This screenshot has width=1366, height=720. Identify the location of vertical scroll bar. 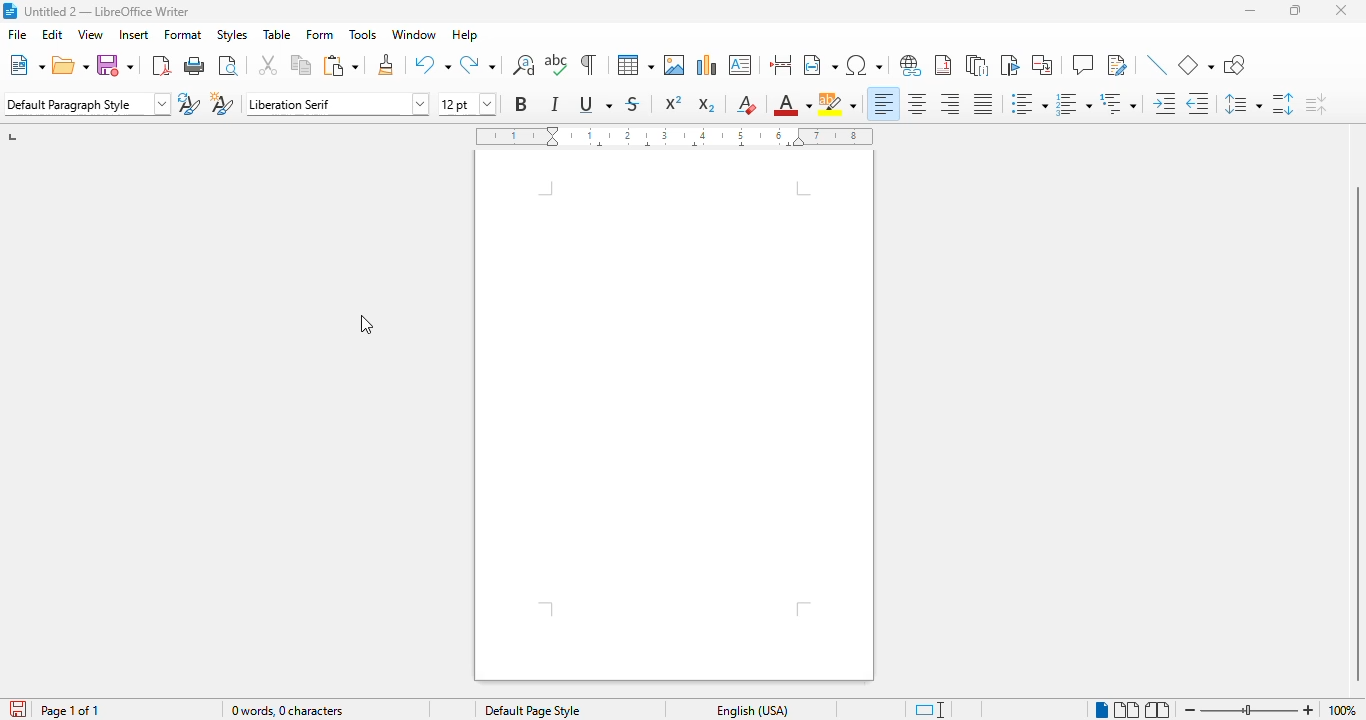
(1354, 435).